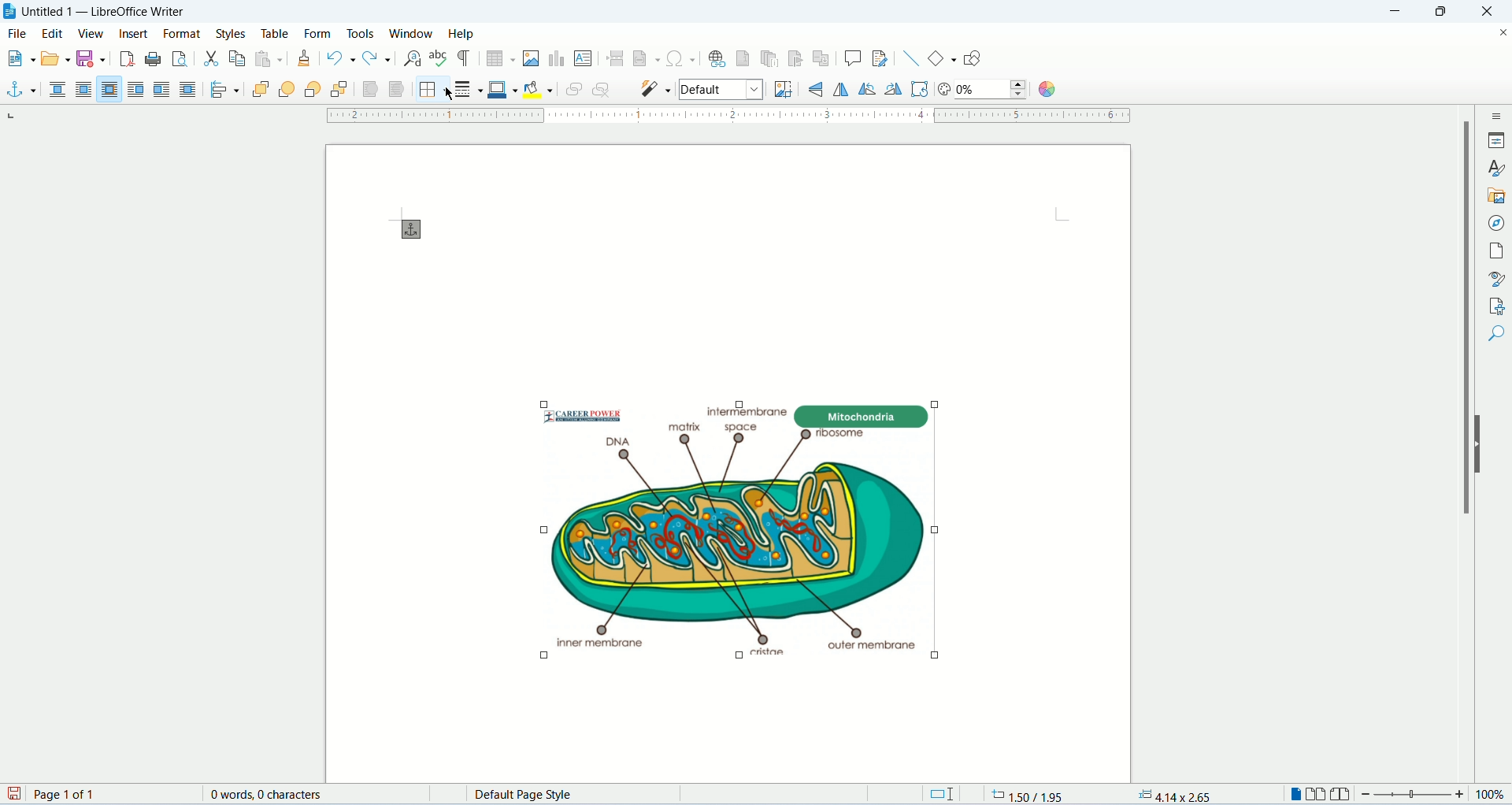 Image resolution: width=1512 pixels, height=805 pixels. What do you see at coordinates (532, 58) in the screenshot?
I see `insert image` at bounding box center [532, 58].